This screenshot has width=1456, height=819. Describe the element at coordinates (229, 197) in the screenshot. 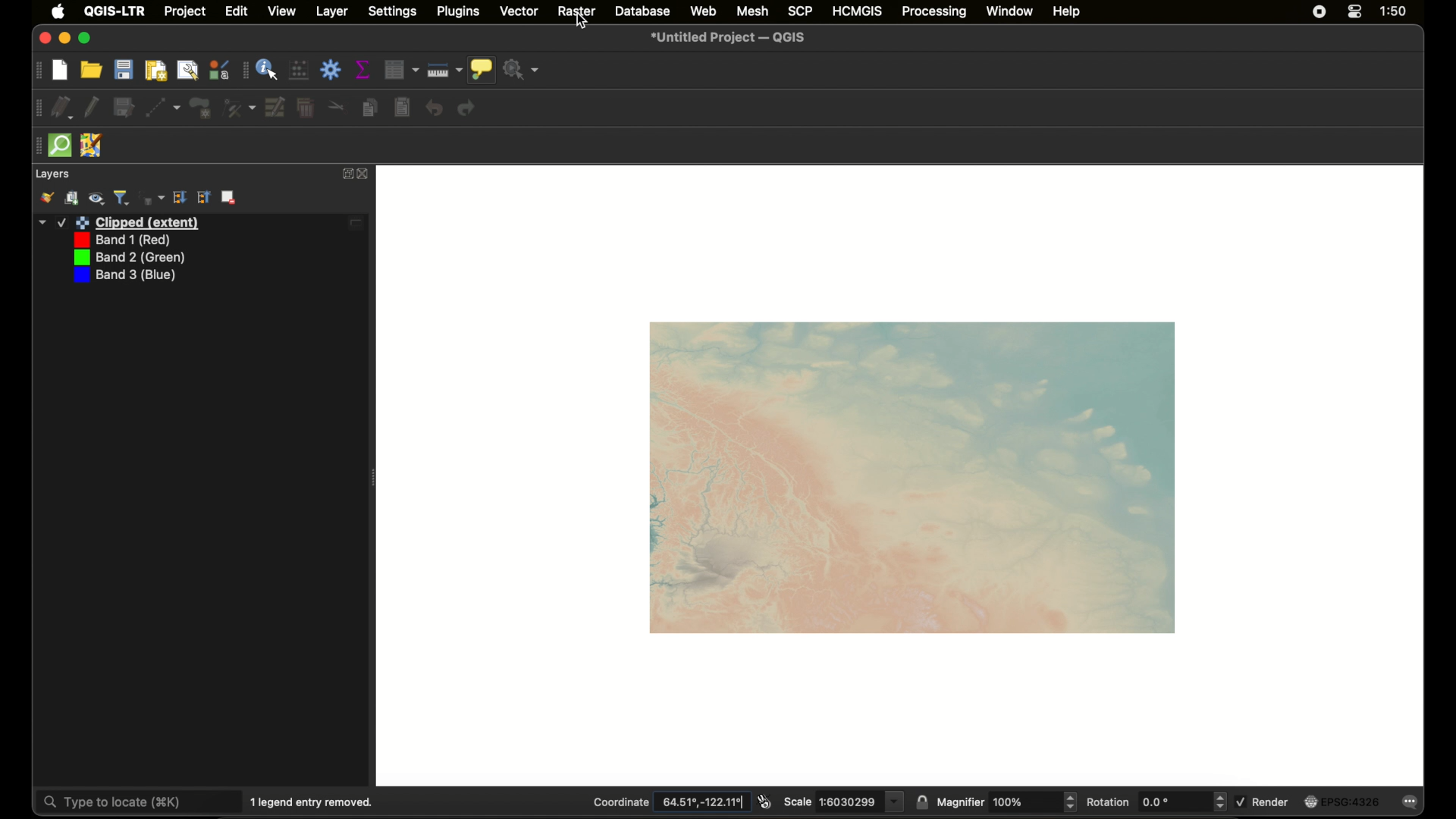

I see `remove layer` at that location.